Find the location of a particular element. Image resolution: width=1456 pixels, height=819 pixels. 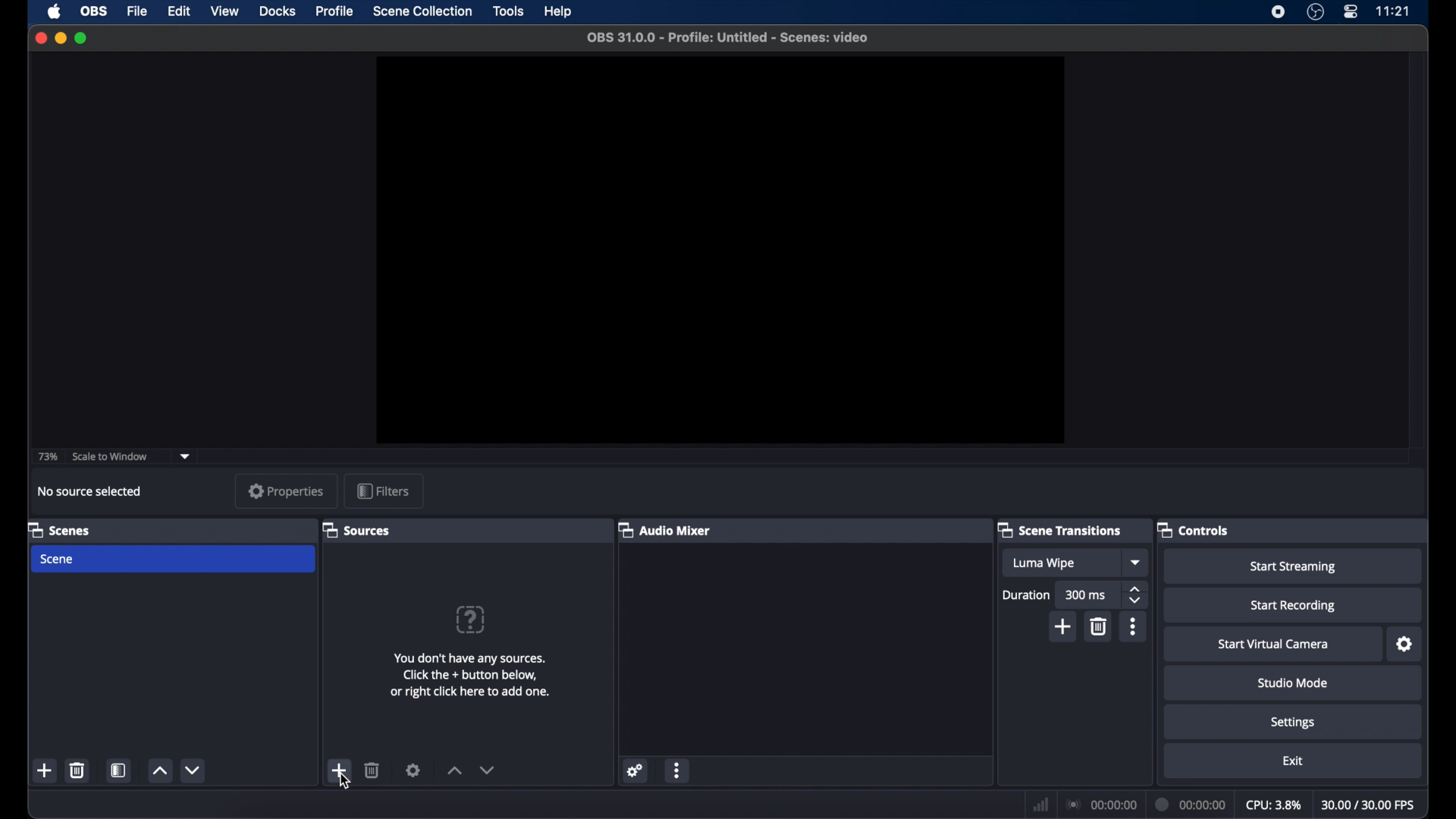

settings is located at coordinates (1406, 645).